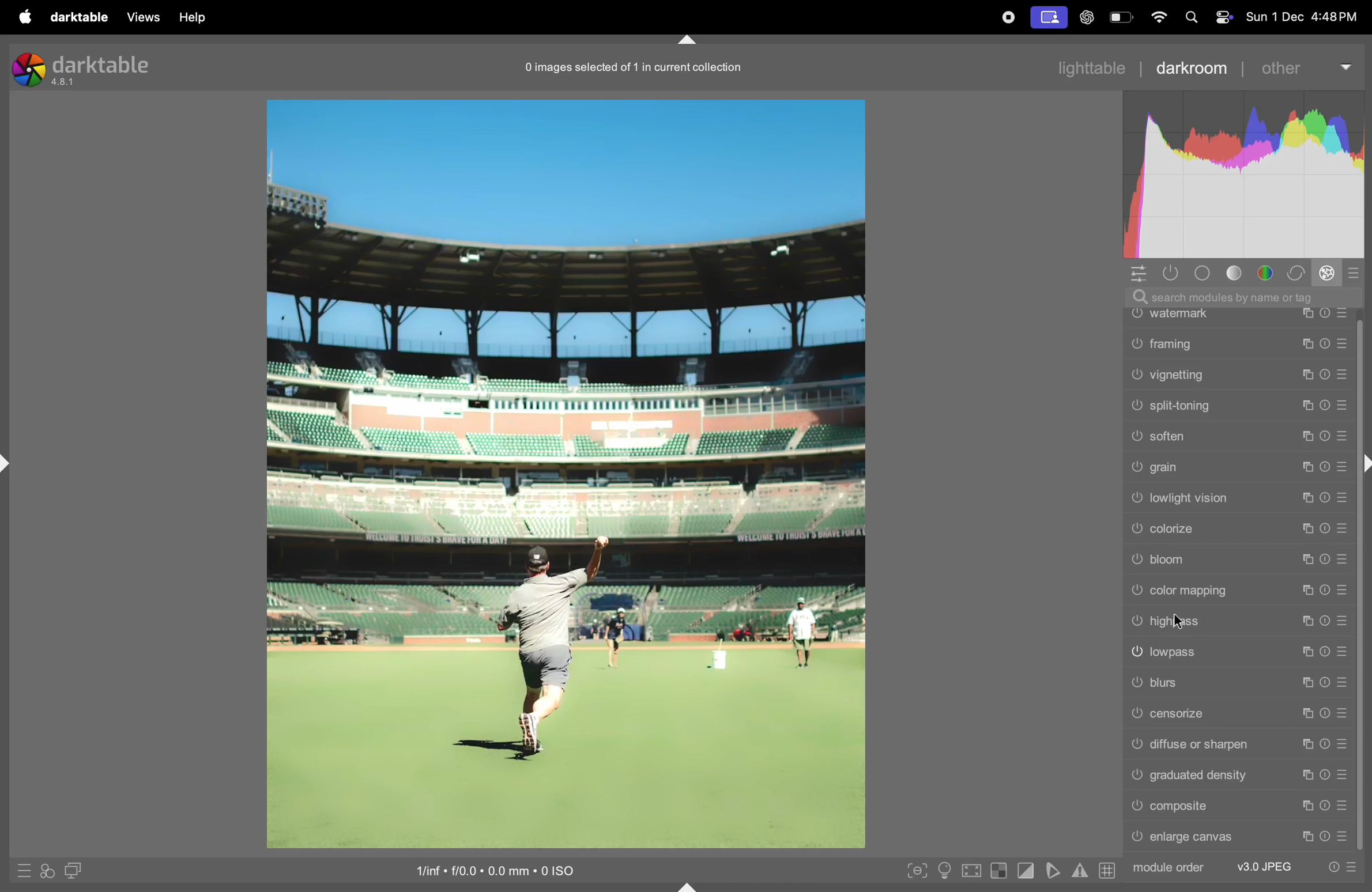  I want to click on enlarge canvas, so click(1239, 838).